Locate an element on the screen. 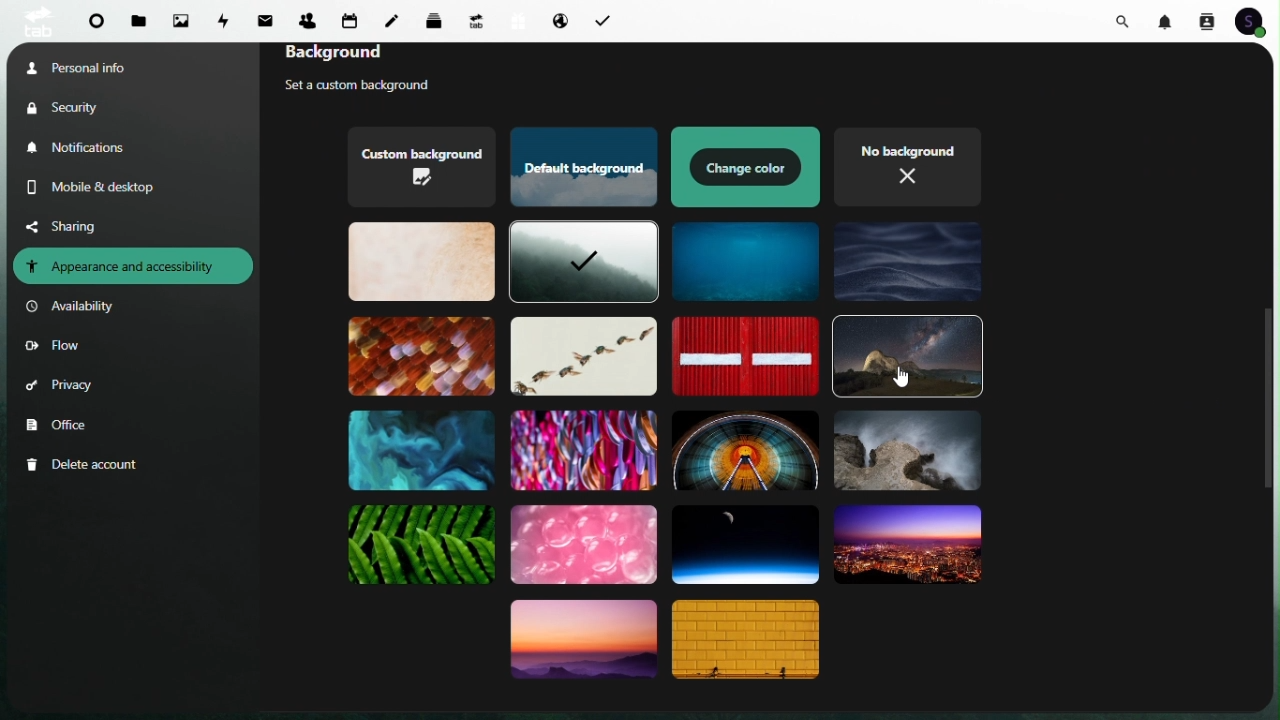 Image resolution: width=1280 pixels, height=720 pixels. Themes is located at coordinates (745, 448).